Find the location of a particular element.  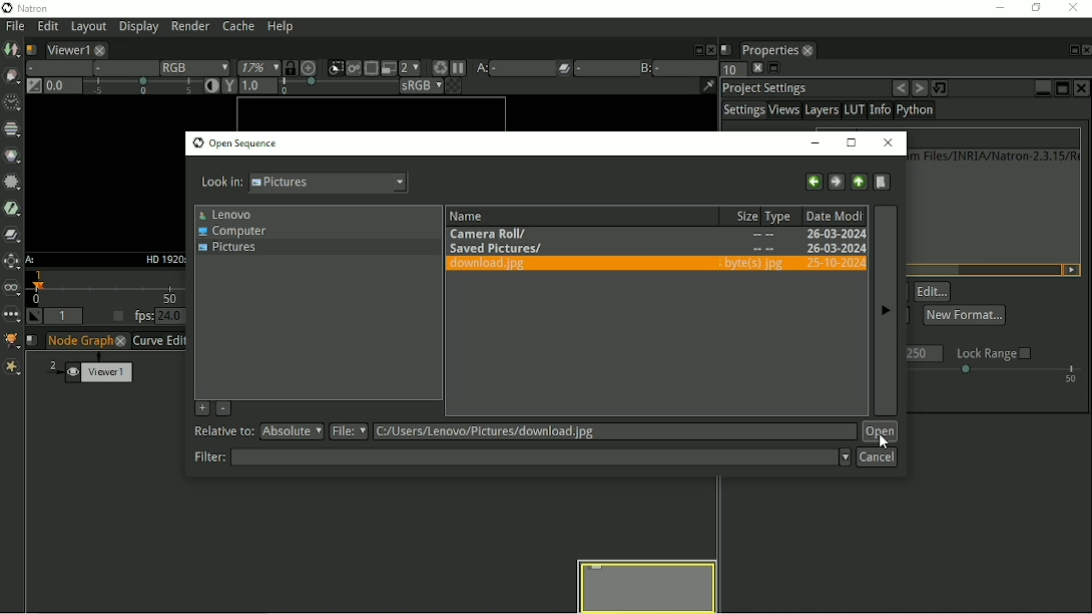

-- is located at coordinates (762, 250).